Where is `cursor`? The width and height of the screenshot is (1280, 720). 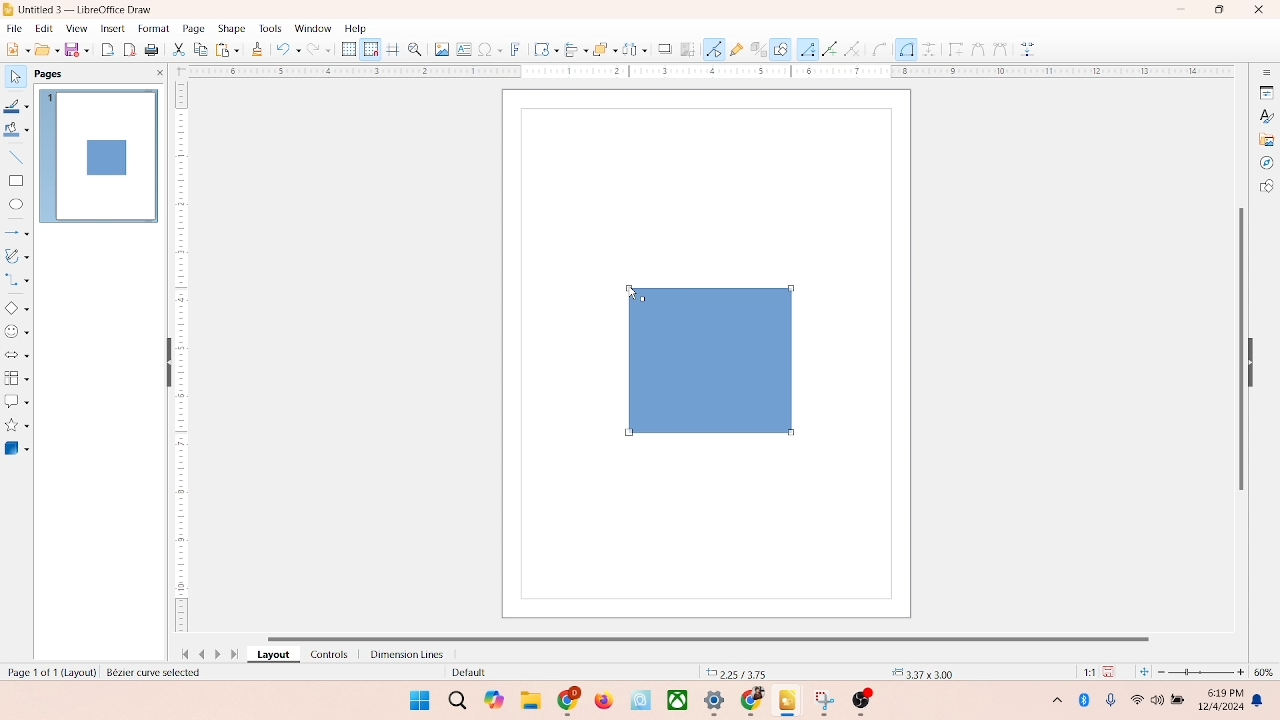 cursor is located at coordinates (630, 295).